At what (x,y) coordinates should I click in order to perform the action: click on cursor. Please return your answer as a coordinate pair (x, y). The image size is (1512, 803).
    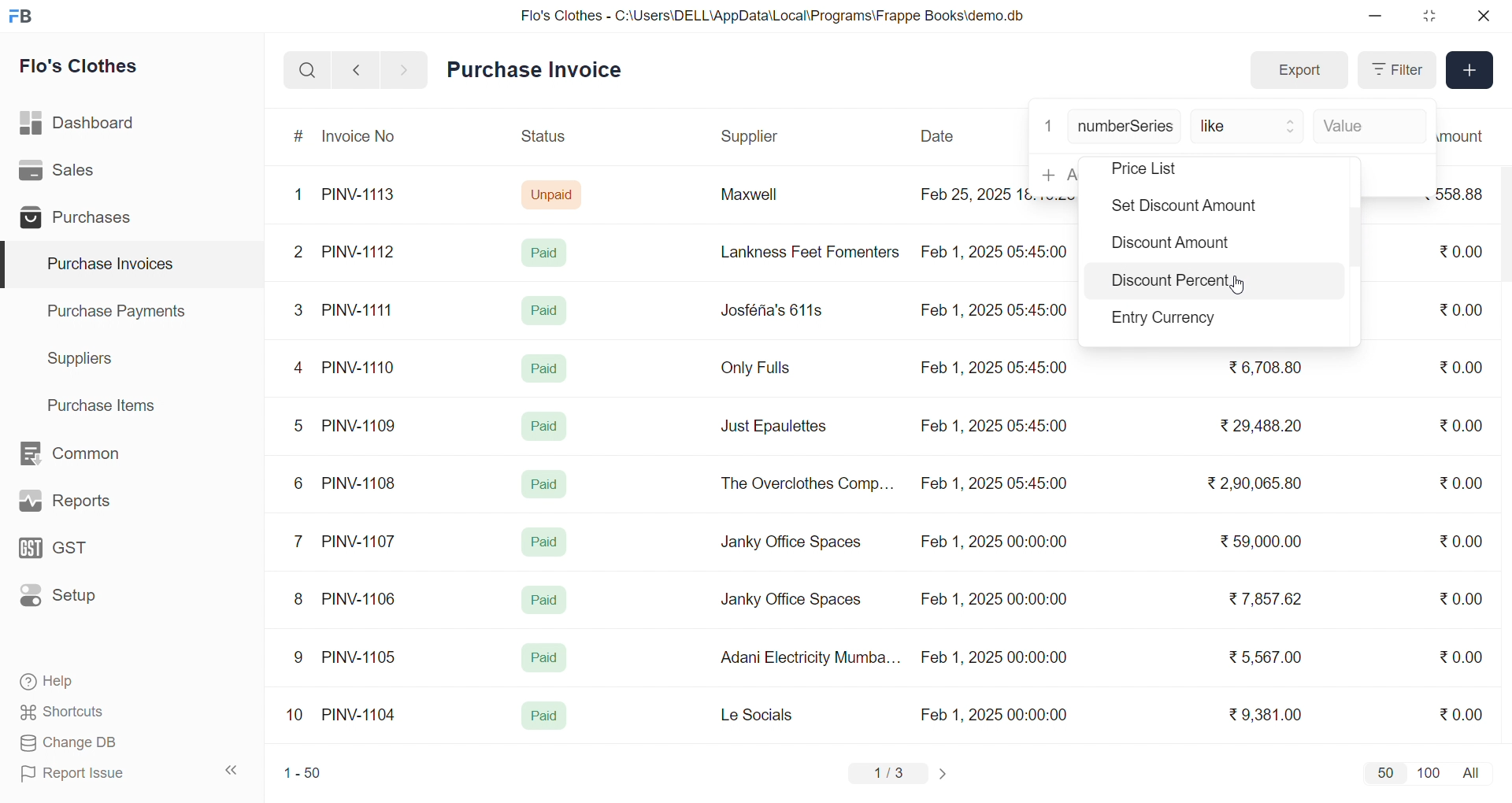
    Looking at the image, I should click on (1241, 287).